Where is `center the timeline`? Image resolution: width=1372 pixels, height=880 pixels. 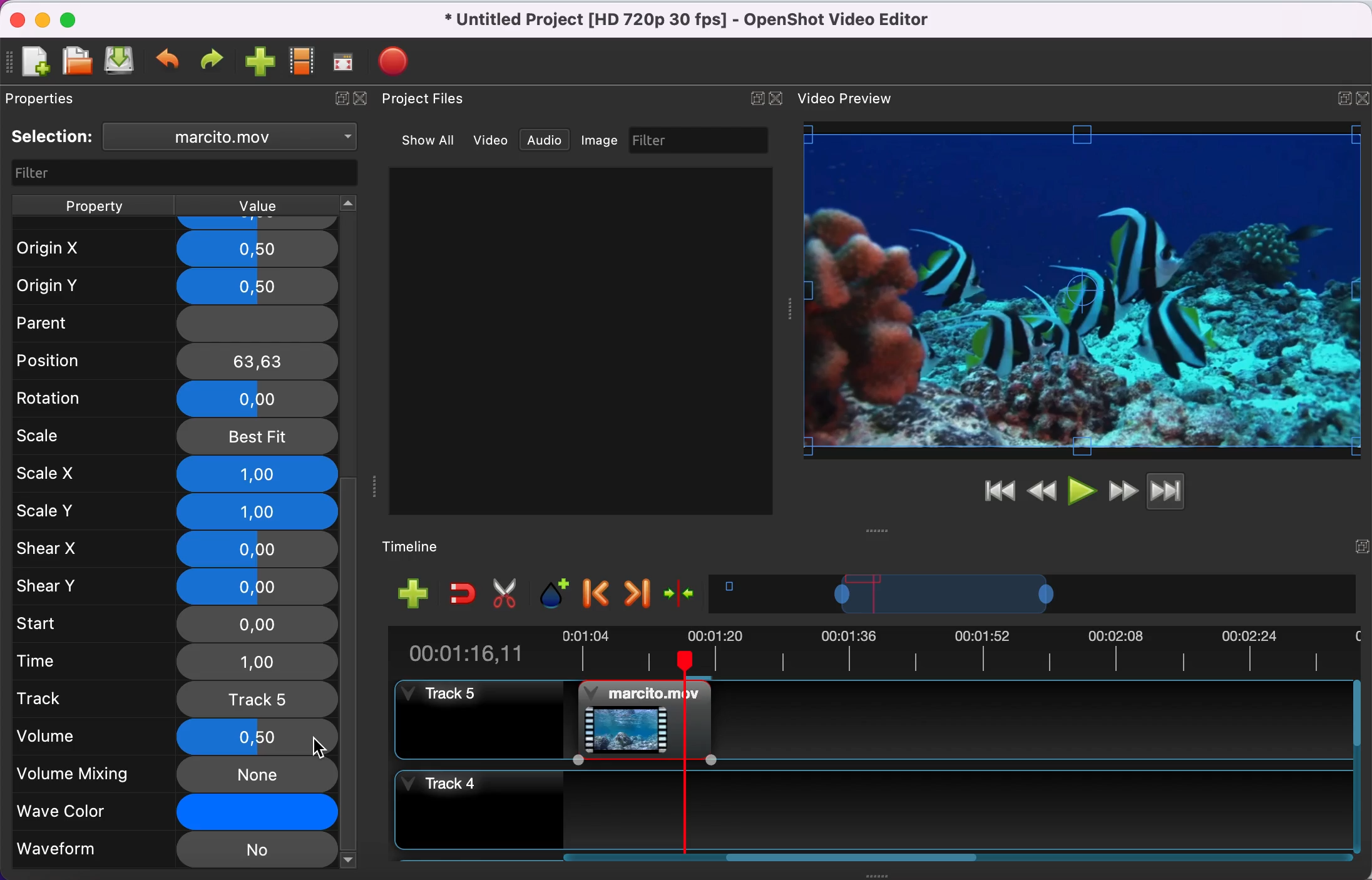
center the timeline is located at coordinates (683, 596).